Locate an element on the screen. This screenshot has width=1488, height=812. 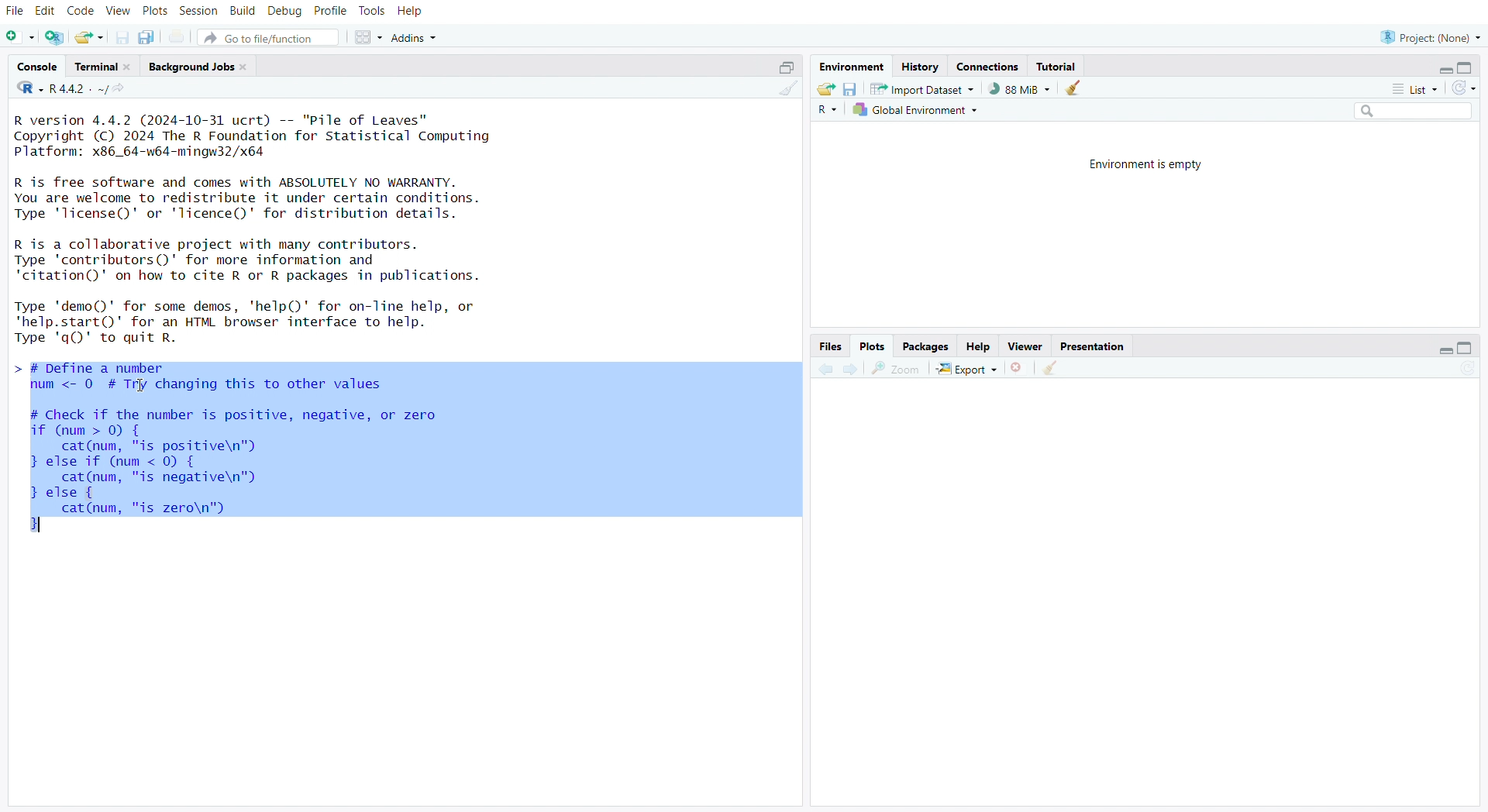
export is located at coordinates (966, 370).